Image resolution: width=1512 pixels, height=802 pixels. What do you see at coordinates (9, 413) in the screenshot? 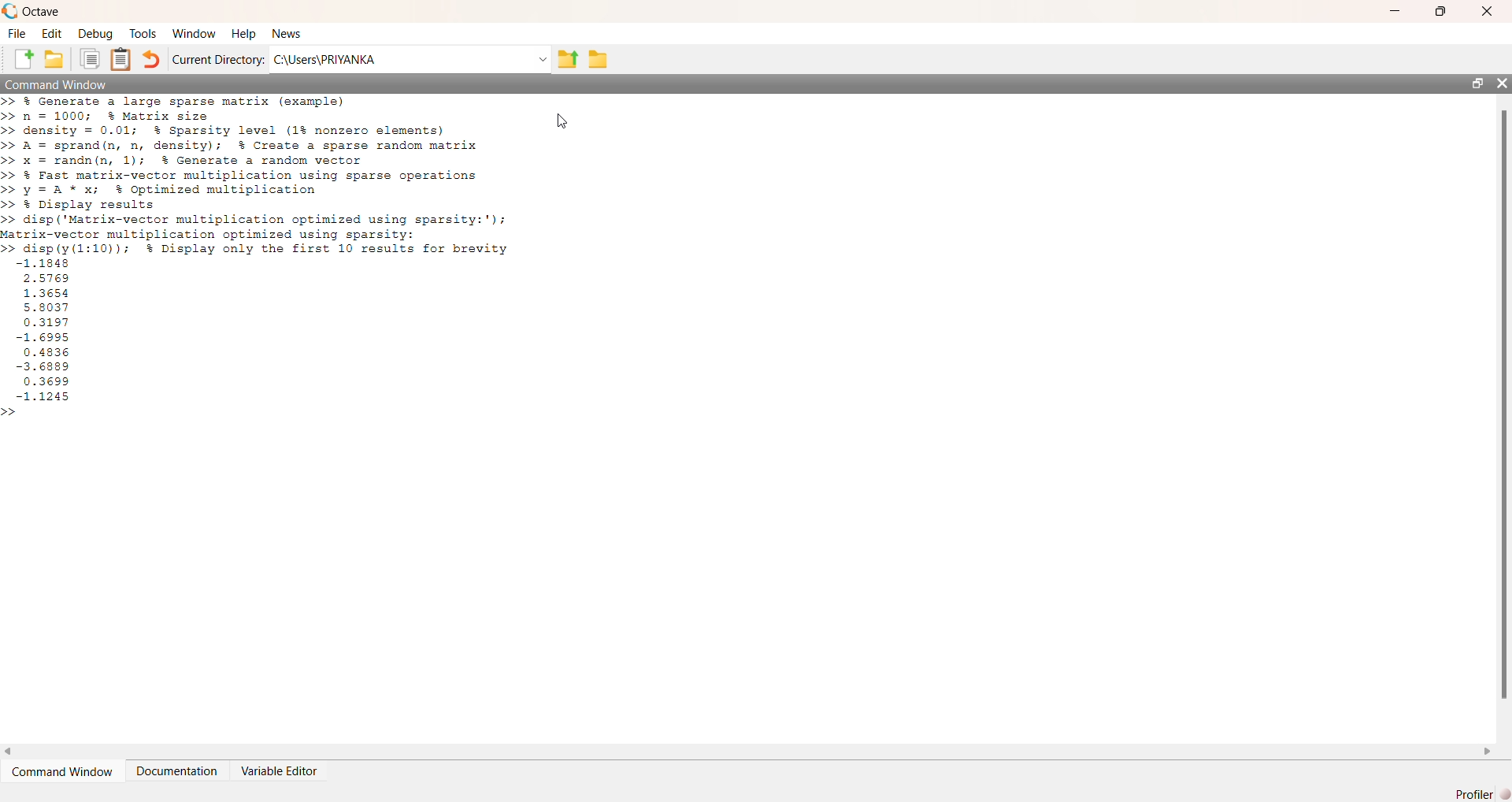
I see `prompt cursor` at bounding box center [9, 413].